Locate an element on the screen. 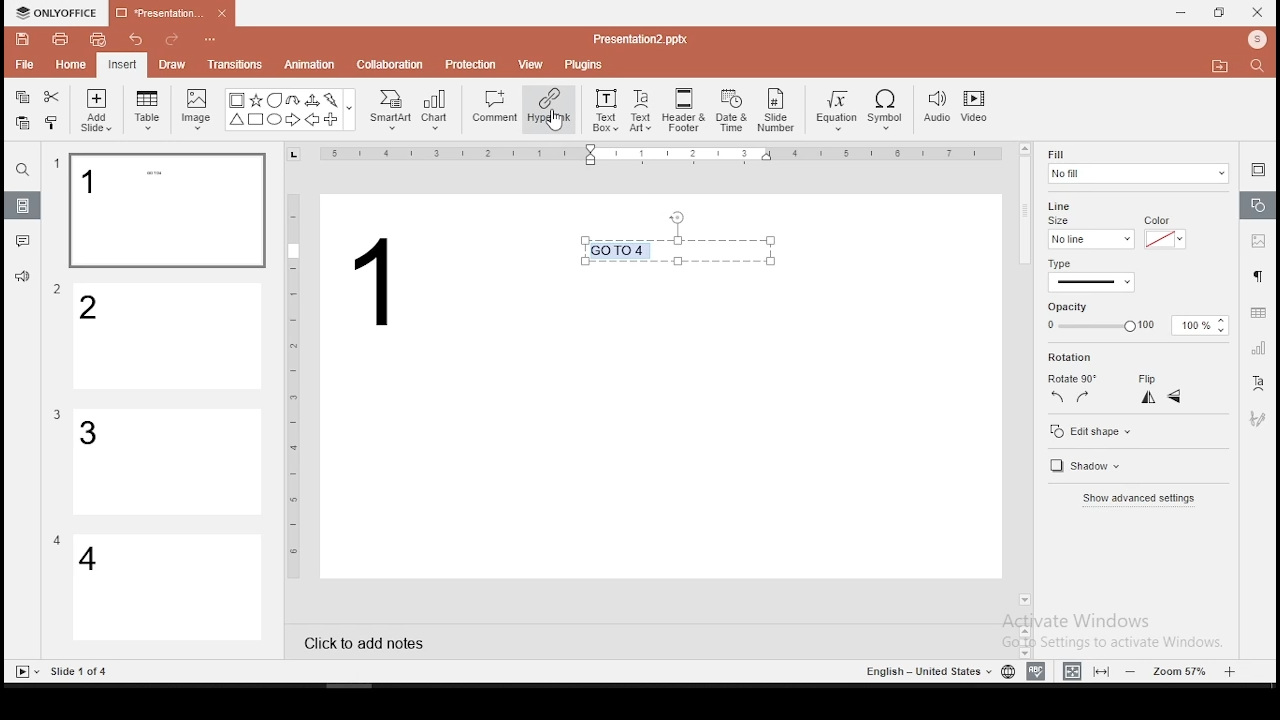   is located at coordinates (57, 164).